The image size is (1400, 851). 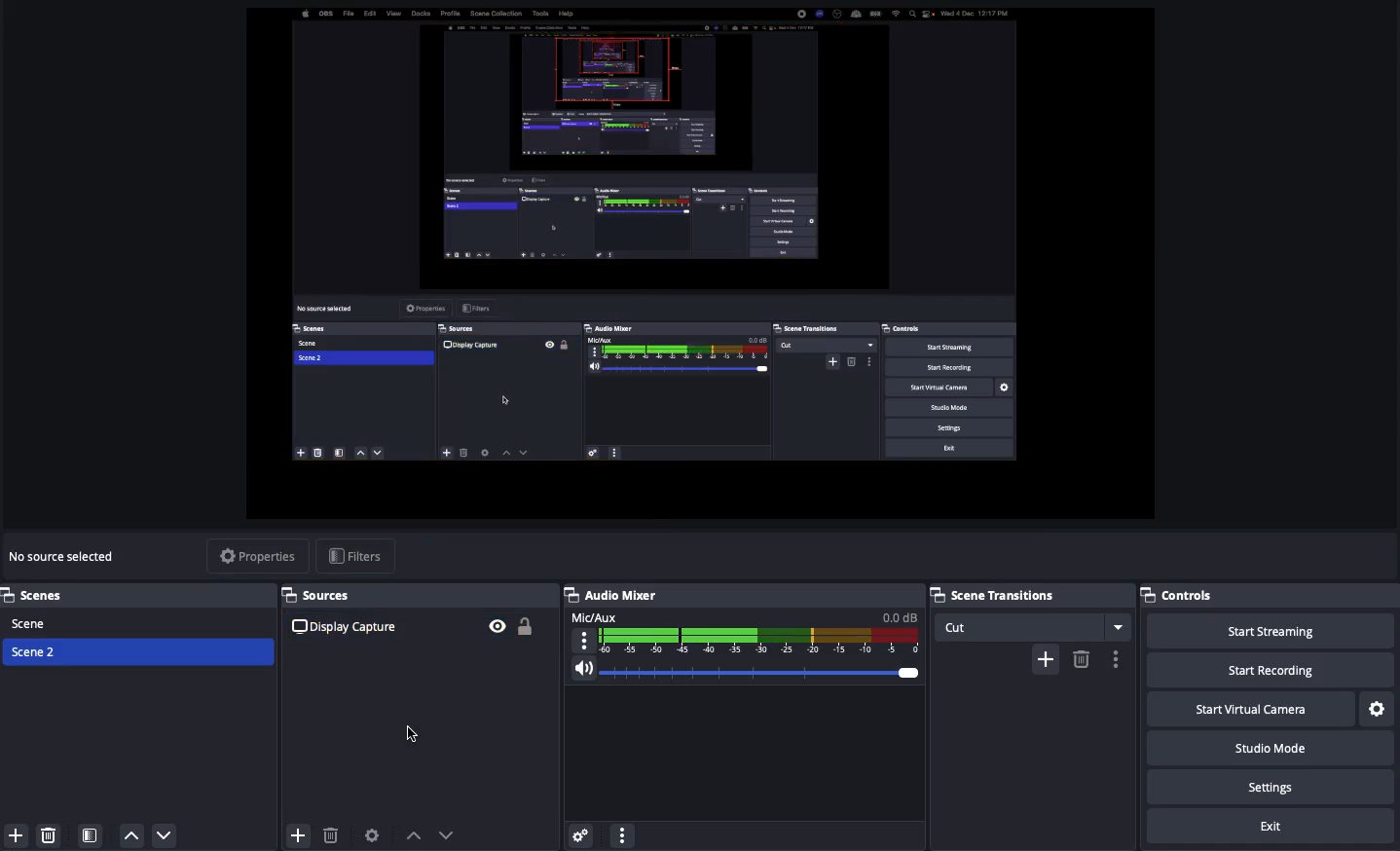 I want to click on Options, so click(x=624, y=834).